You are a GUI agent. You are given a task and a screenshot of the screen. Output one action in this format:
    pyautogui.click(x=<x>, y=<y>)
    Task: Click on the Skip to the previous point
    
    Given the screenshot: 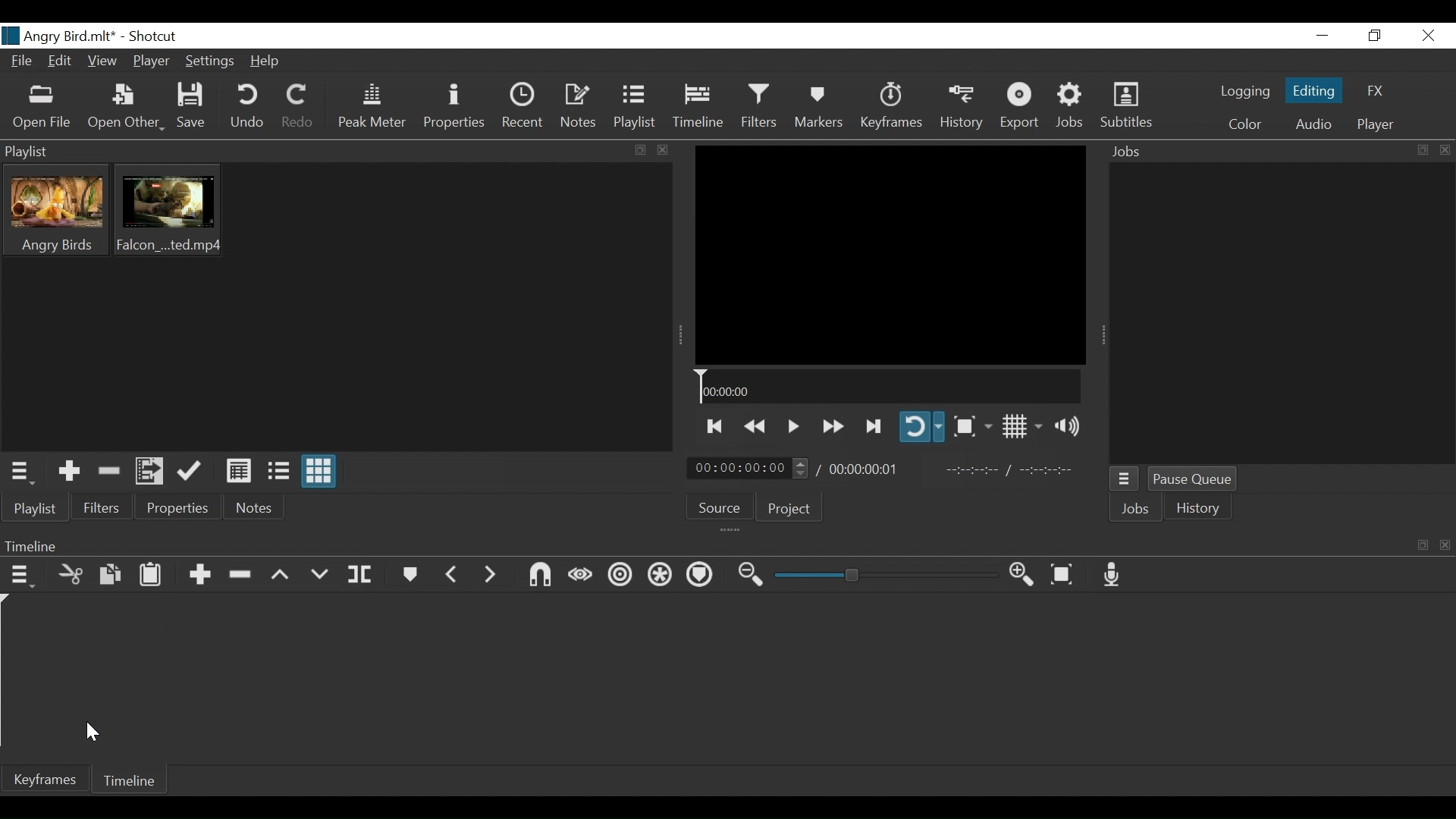 What is the action you would take?
    pyautogui.click(x=717, y=426)
    